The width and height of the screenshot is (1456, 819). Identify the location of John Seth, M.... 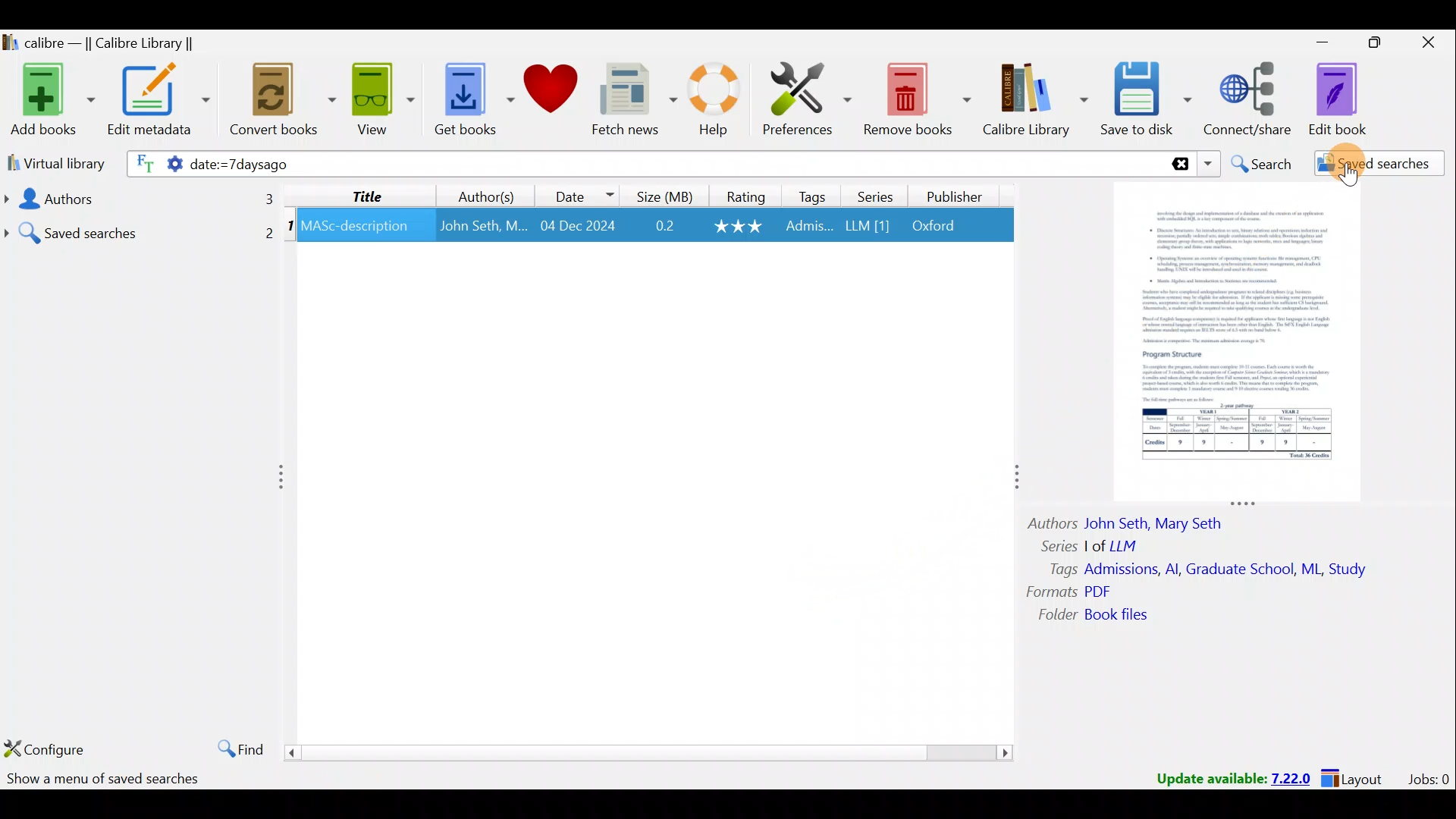
(483, 226).